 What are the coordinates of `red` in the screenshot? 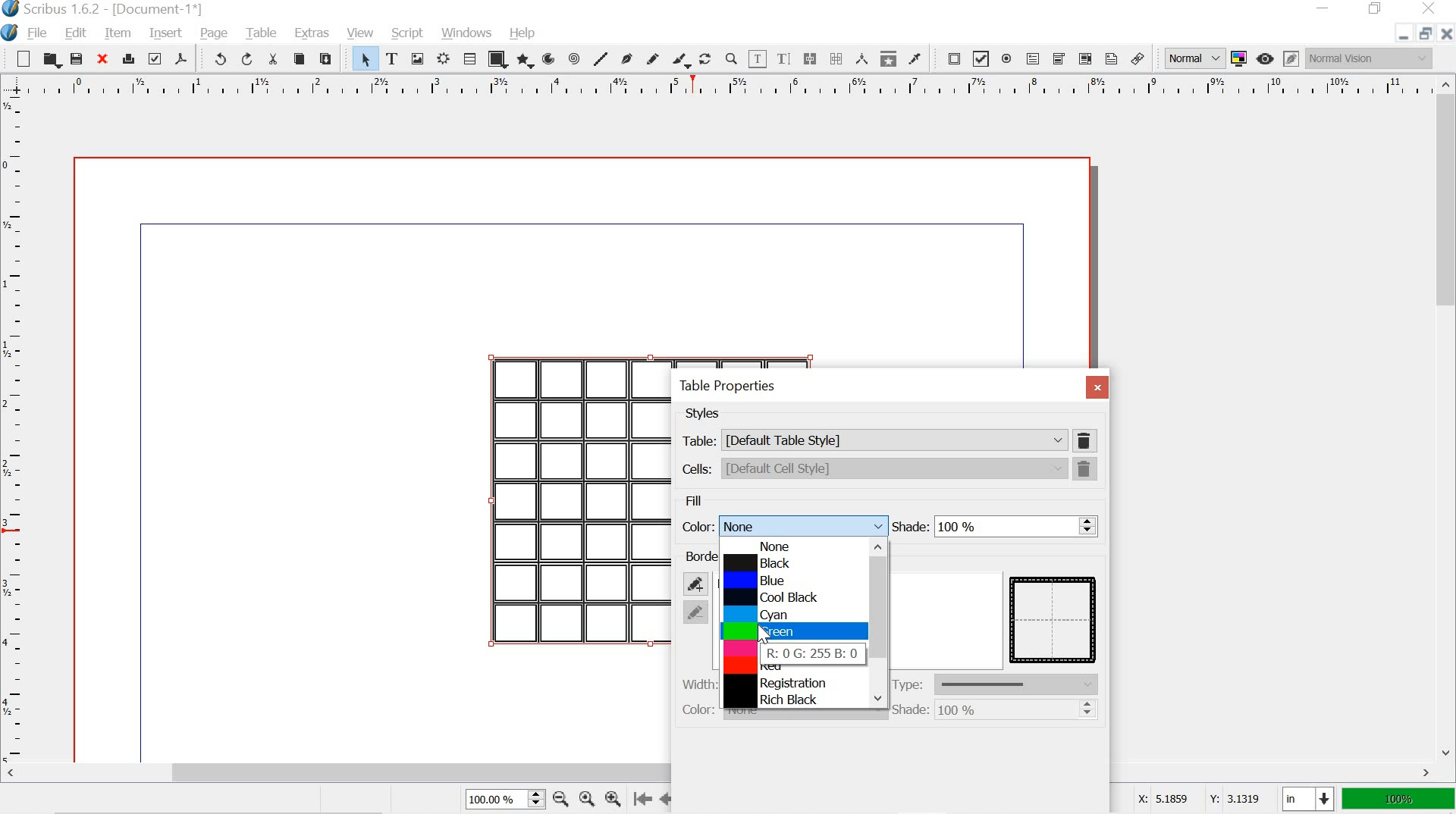 It's located at (755, 668).